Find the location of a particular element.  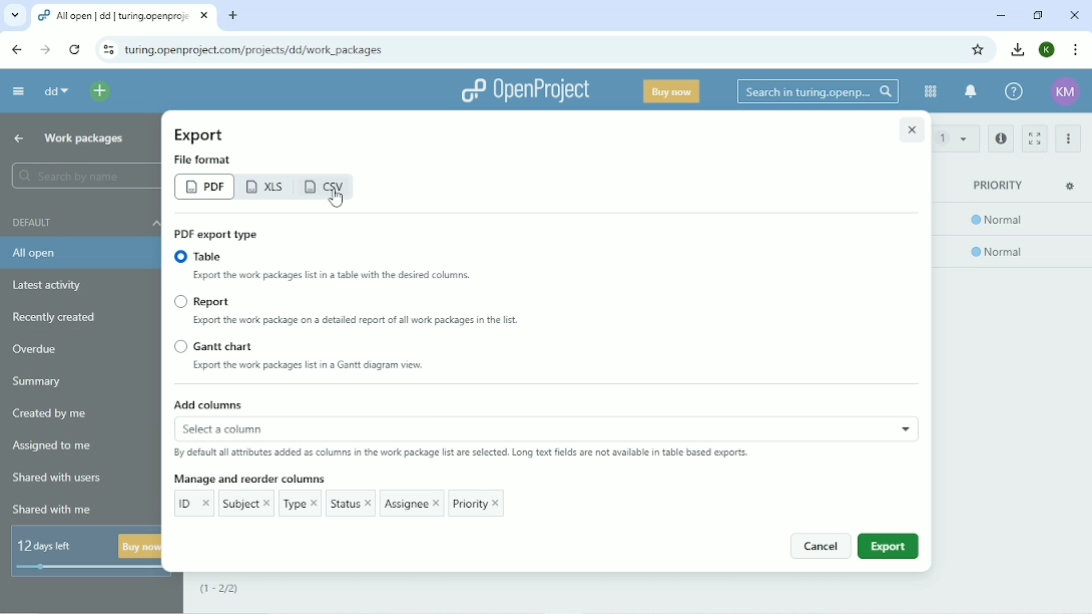

Assigned to me is located at coordinates (55, 447).